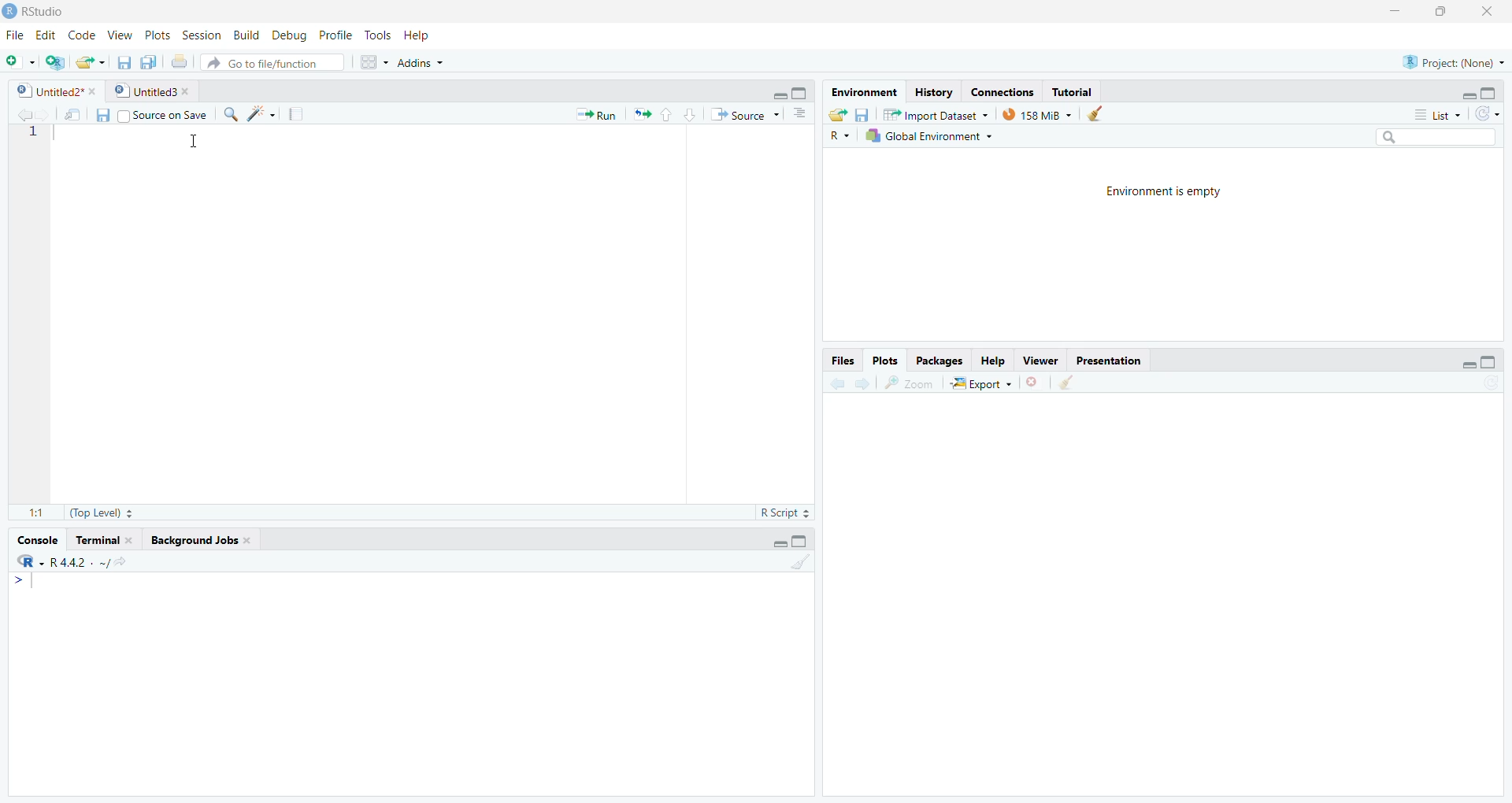 The height and width of the screenshot is (803, 1512). What do you see at coordinates (69, 113) in the screenshot?
I see `Show in new window` at bounding box center [69, 113].